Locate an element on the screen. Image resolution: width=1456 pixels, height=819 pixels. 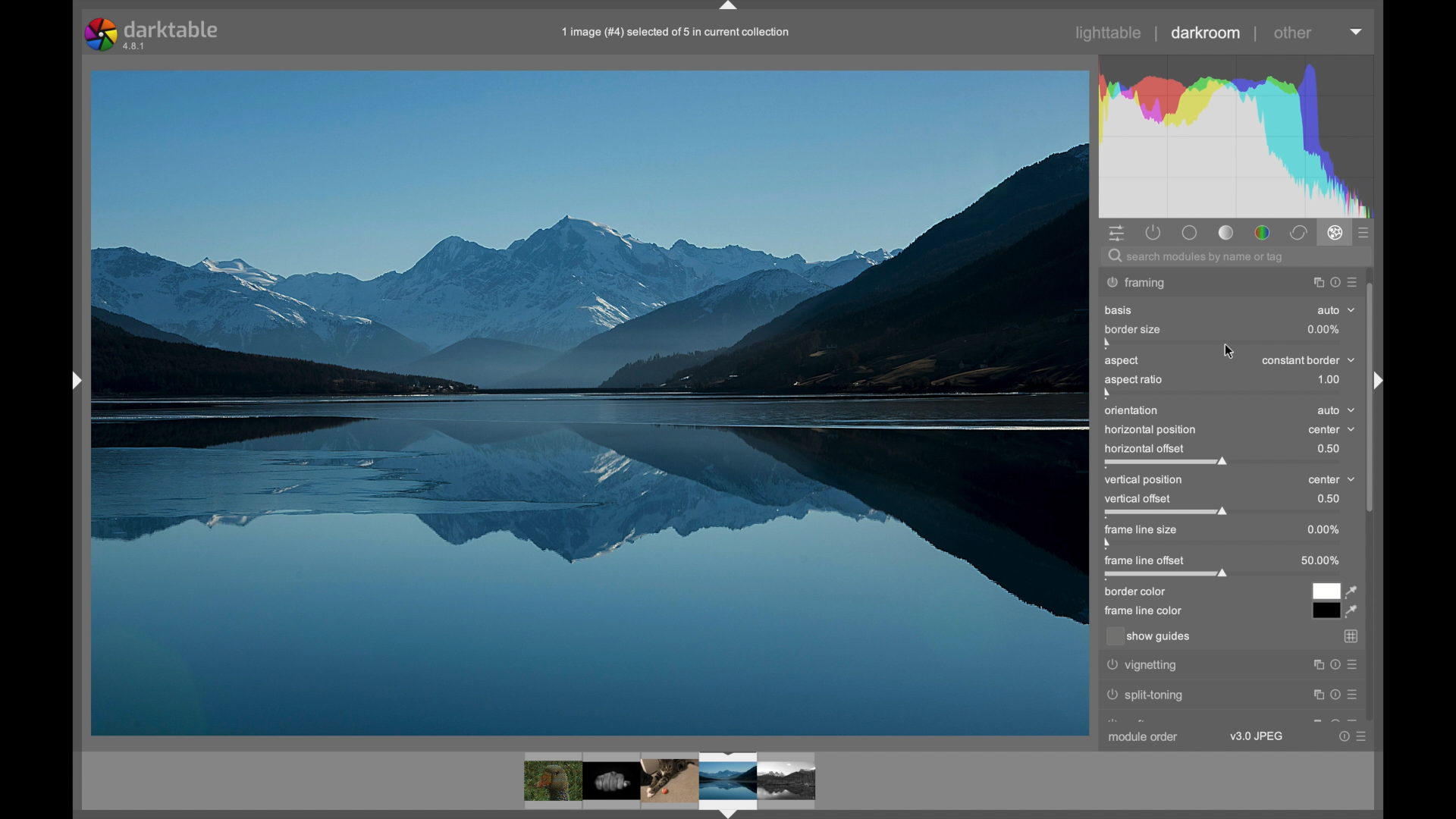
color picker tool is located at coordinates (1353, 591).